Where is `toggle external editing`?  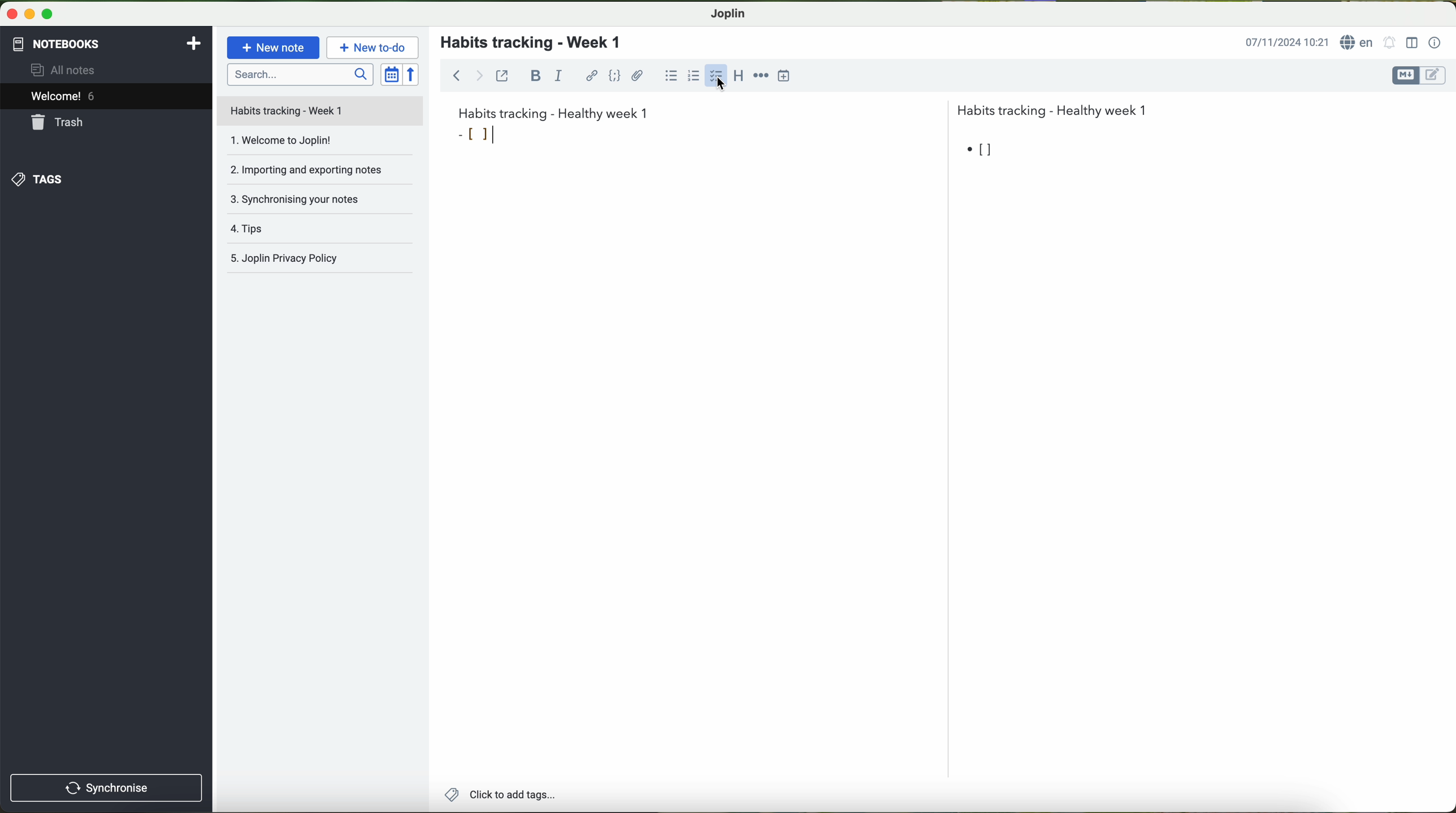
toggle external editing is located at coordinates (502, 75).